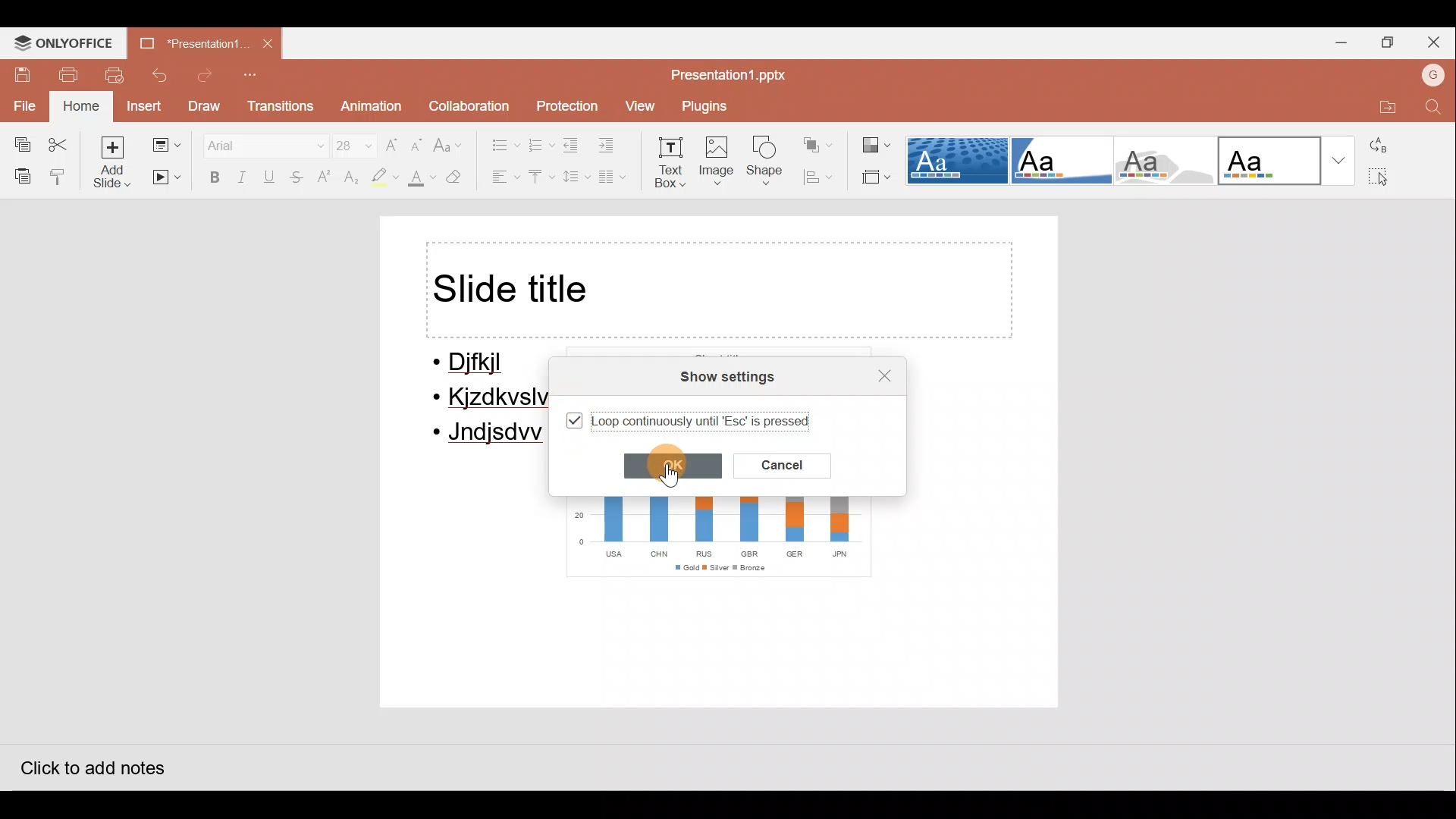  What do you see at coordinates (672, 475) in the screenshot?
I see `Cursor` at bounding box center [672, 475].